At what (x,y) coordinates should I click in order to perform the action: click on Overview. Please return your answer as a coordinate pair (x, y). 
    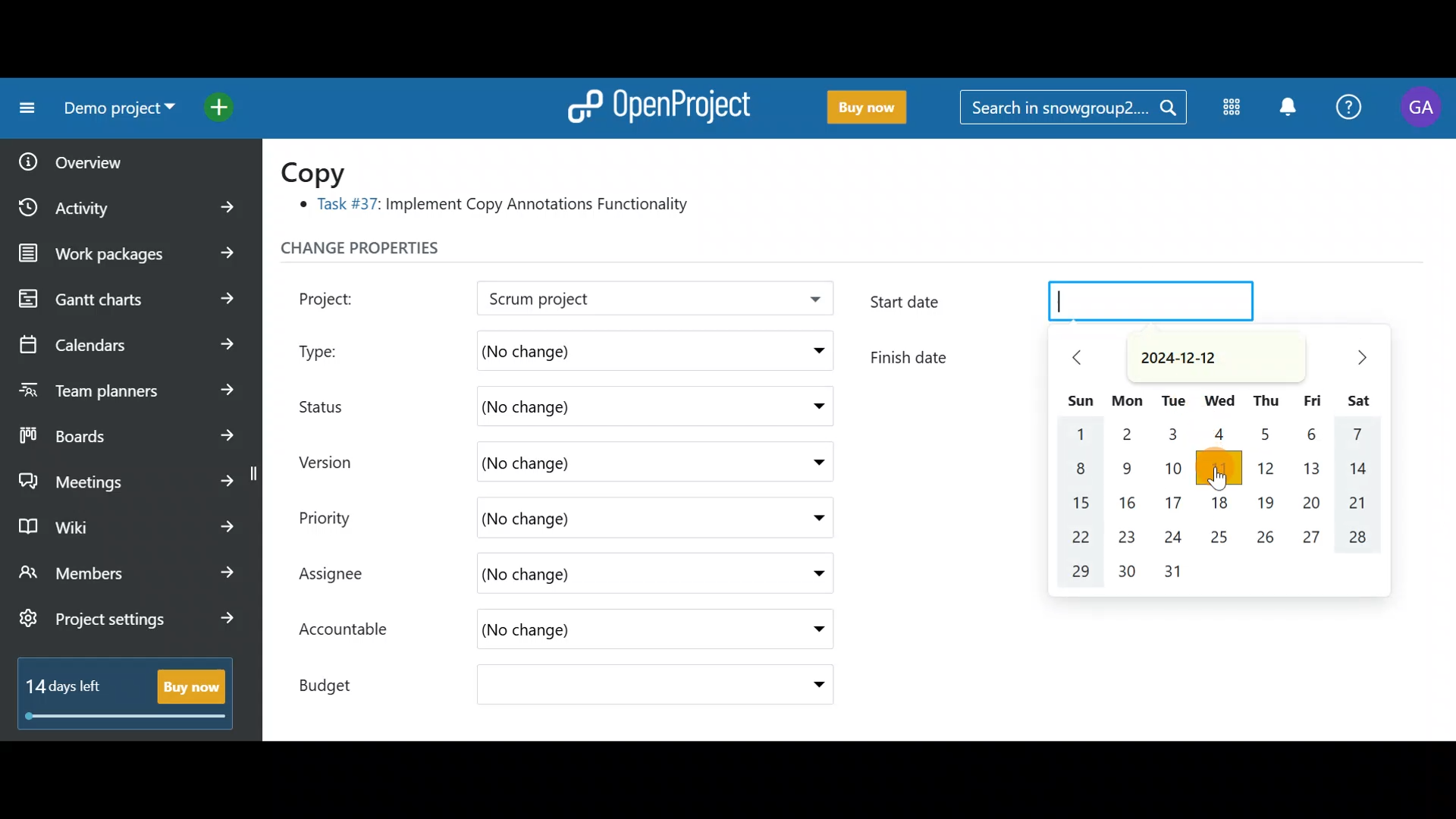
    Looking at the image, I should click on (115, 157).